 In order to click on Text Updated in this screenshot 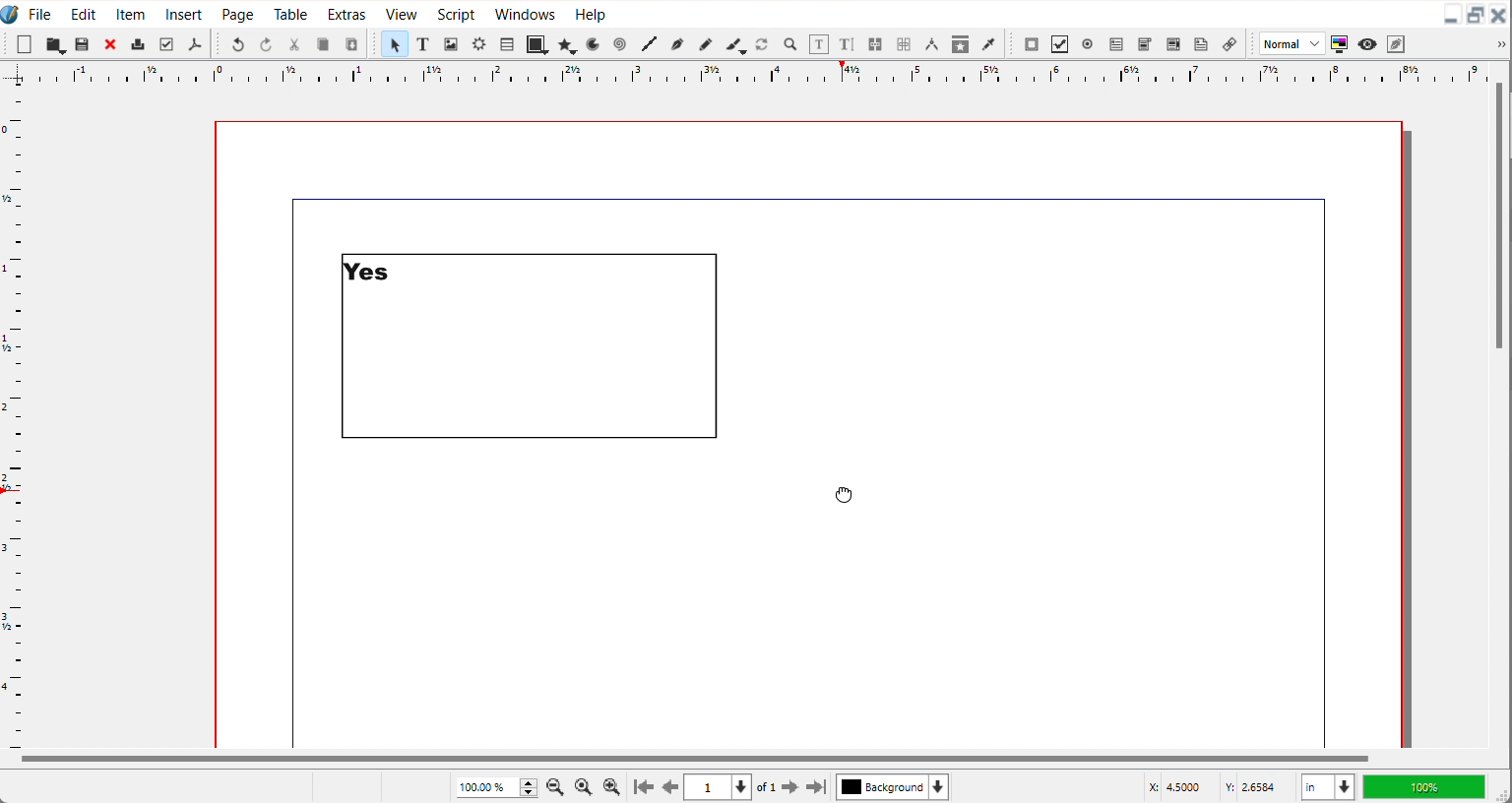, I will do `click(530, 345)`.